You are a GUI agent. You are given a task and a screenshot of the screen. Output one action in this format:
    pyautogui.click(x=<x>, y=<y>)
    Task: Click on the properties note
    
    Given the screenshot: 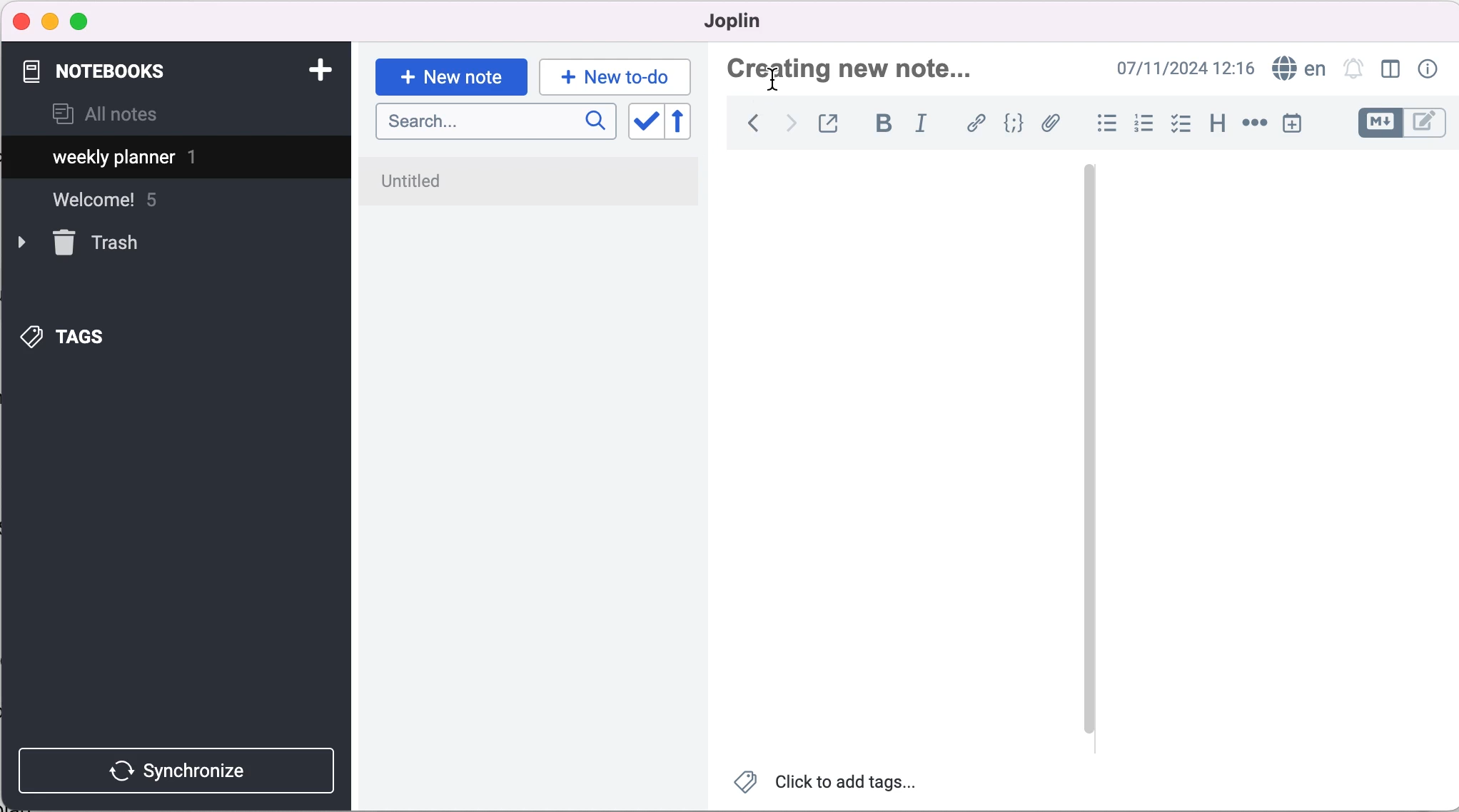 What is the action you would take?
    pyautogui.click(x=1430, y=68)
    